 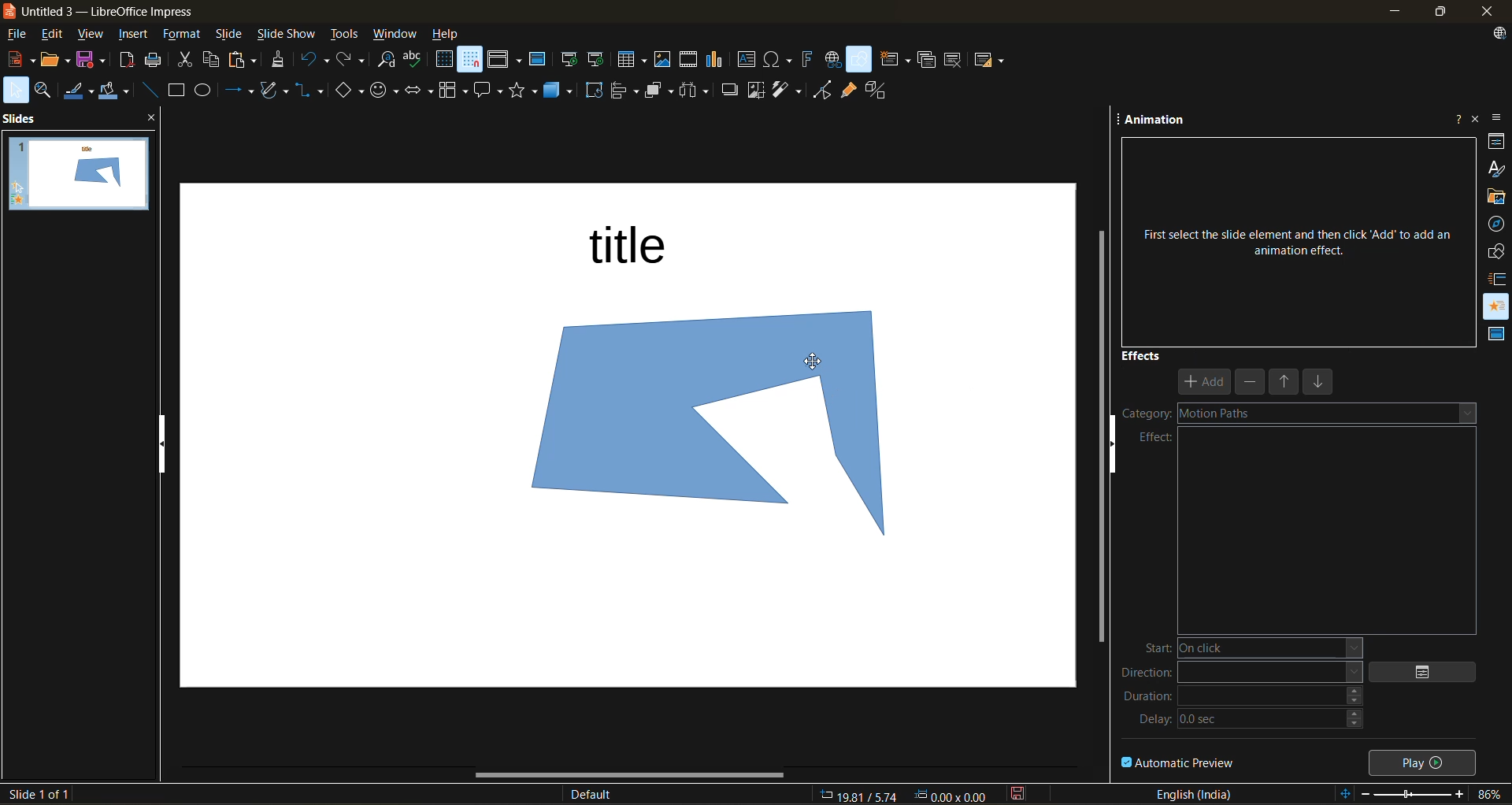 What do you see at coordinates (1496, 198) in the screenshot?
I see `gallery` at bounding box center [1496, 198].